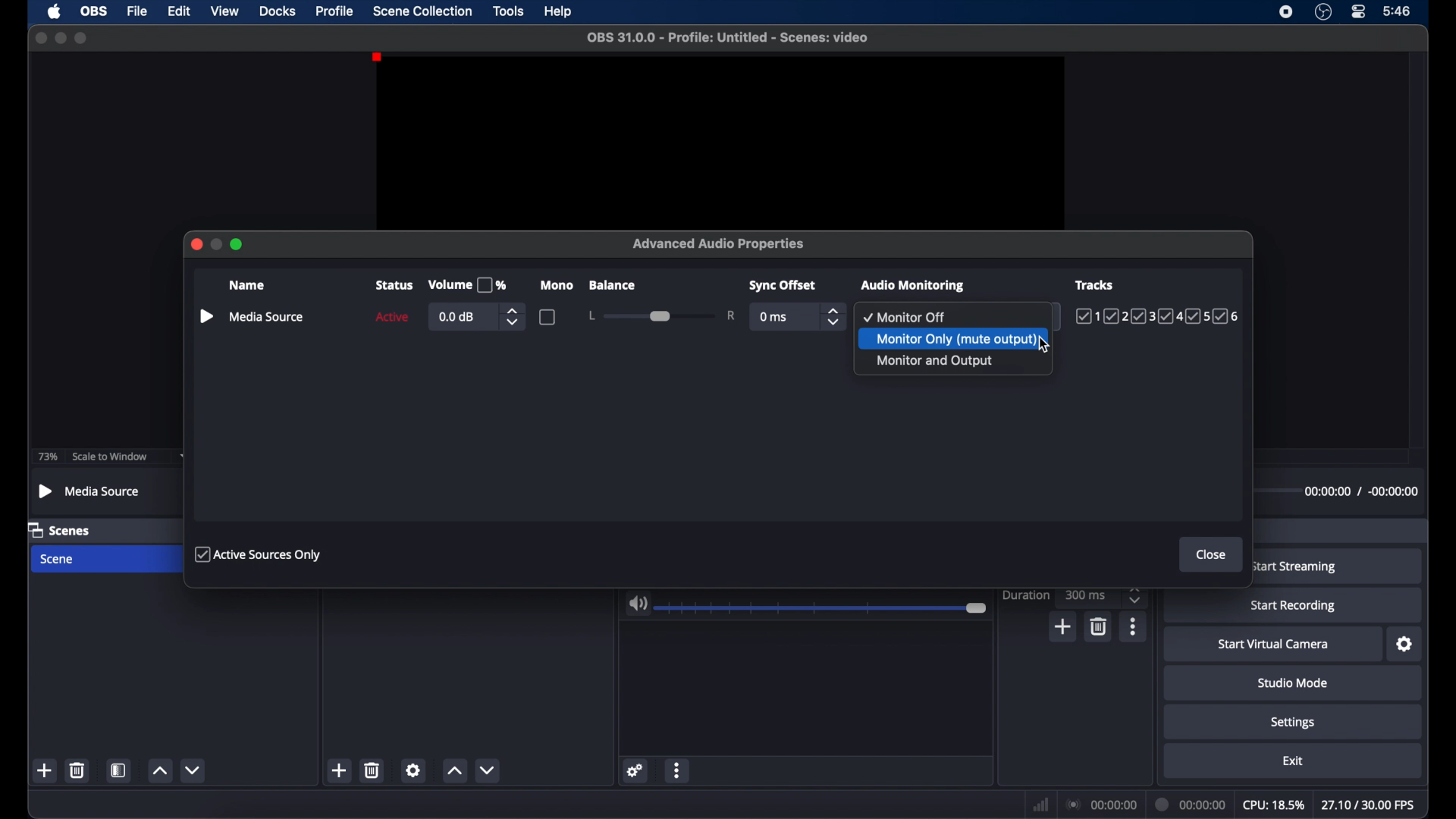 Image resolution: width=1456 pixels, height=819 pixels. Describe the element at coordinates (834, 316) in the screenshot. I see `stepper buttons` at that location.